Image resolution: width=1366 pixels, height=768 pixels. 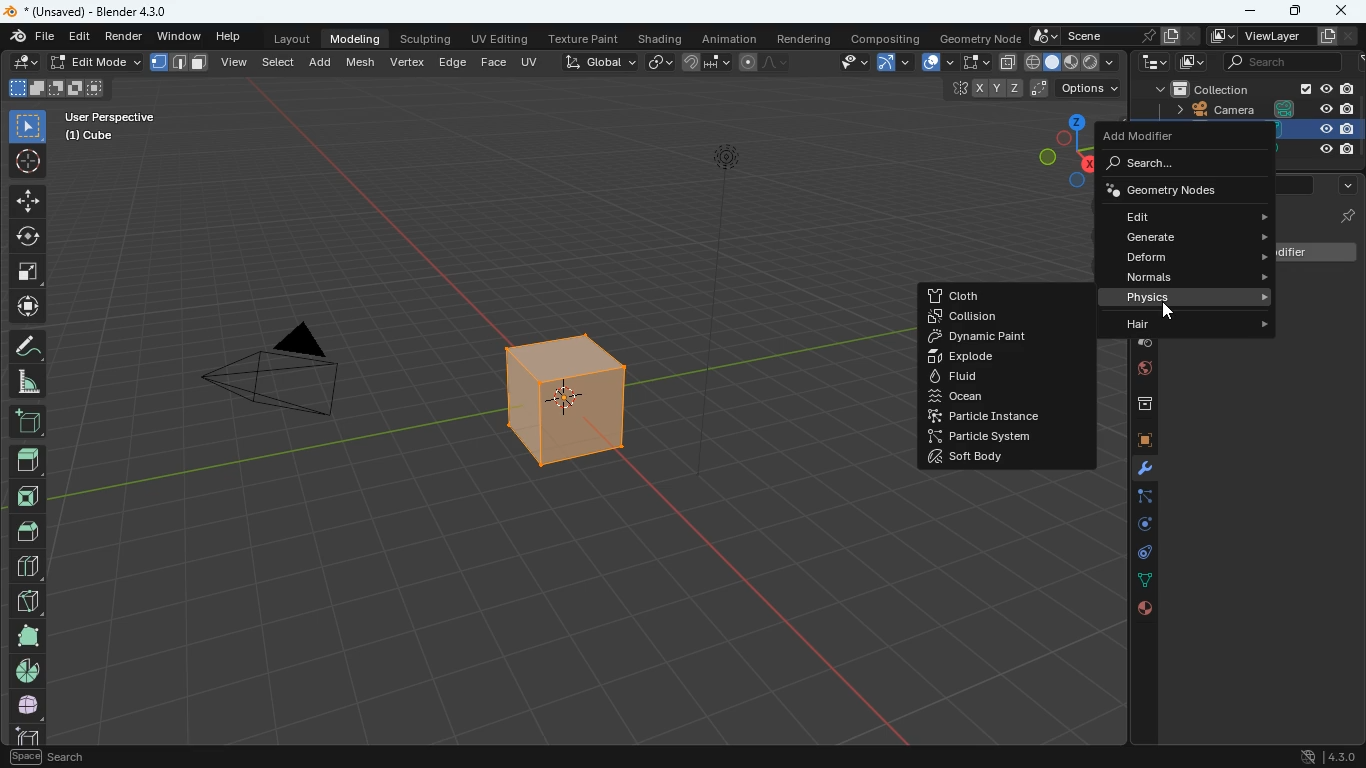 What do you see at coordinates (1258, 110) in the screenshot?
I see `camera` at bounding box center [1258, 110].